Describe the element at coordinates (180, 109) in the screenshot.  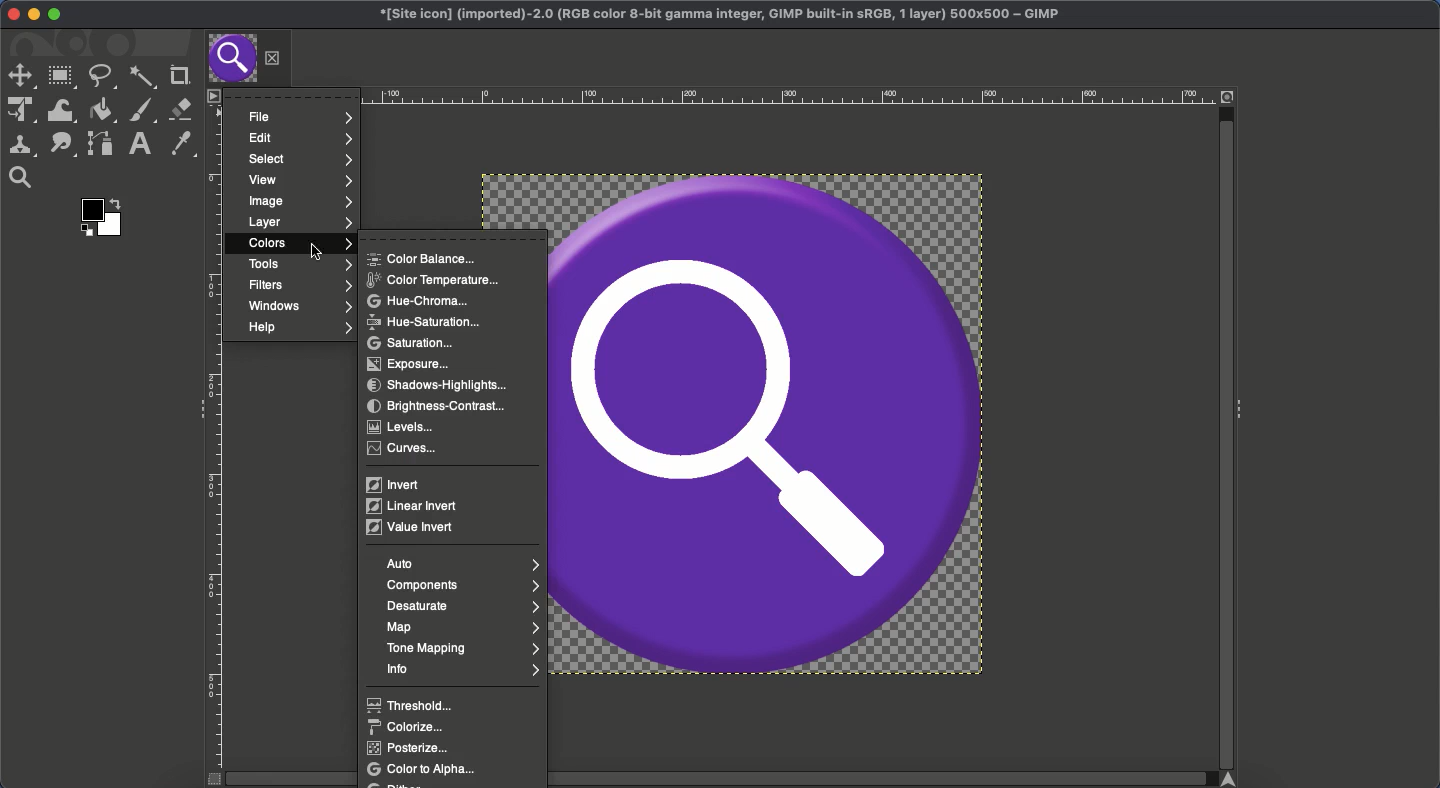
I see `Eraser` at that location.